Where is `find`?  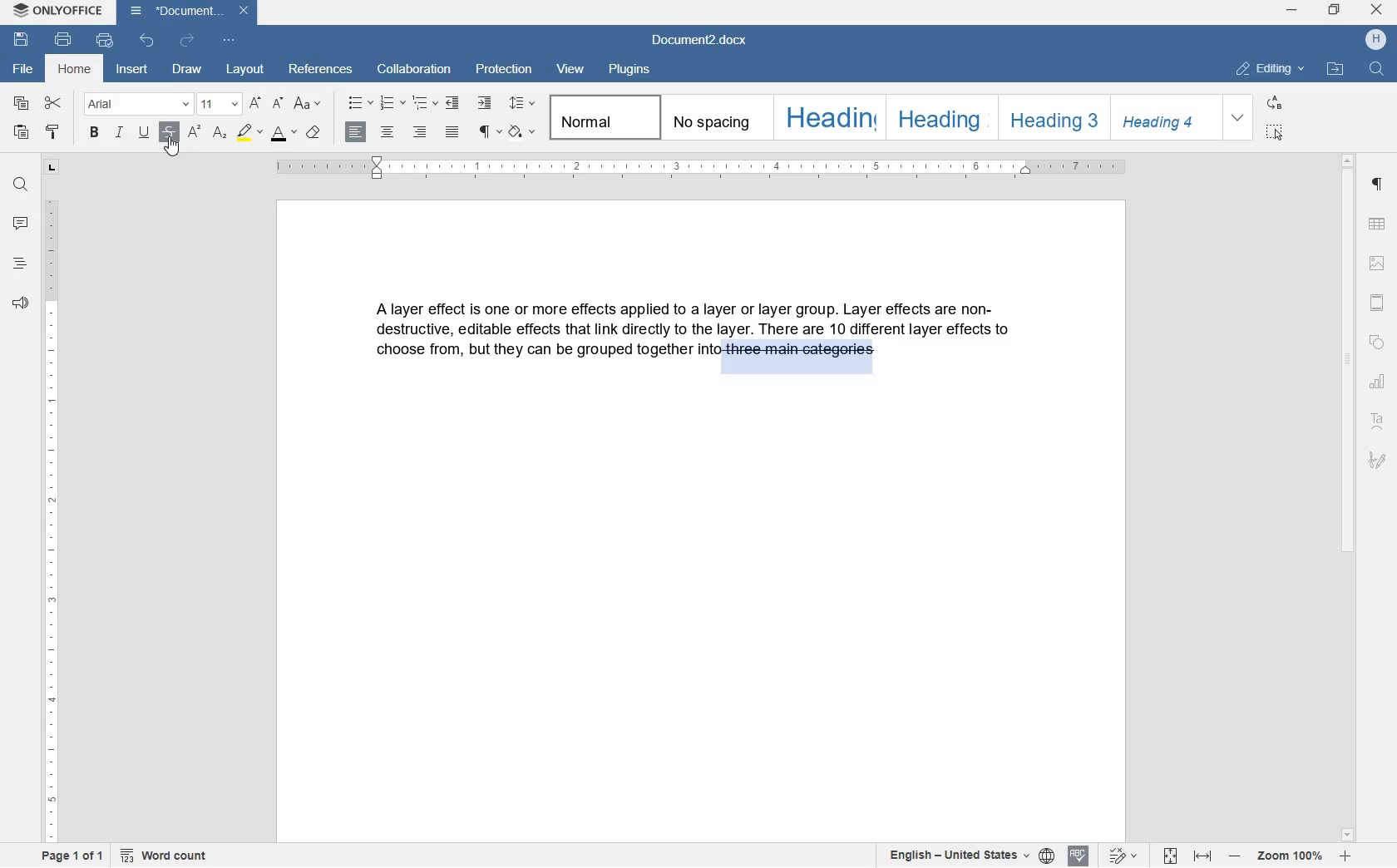 find is located at coordinates (1375, 69).